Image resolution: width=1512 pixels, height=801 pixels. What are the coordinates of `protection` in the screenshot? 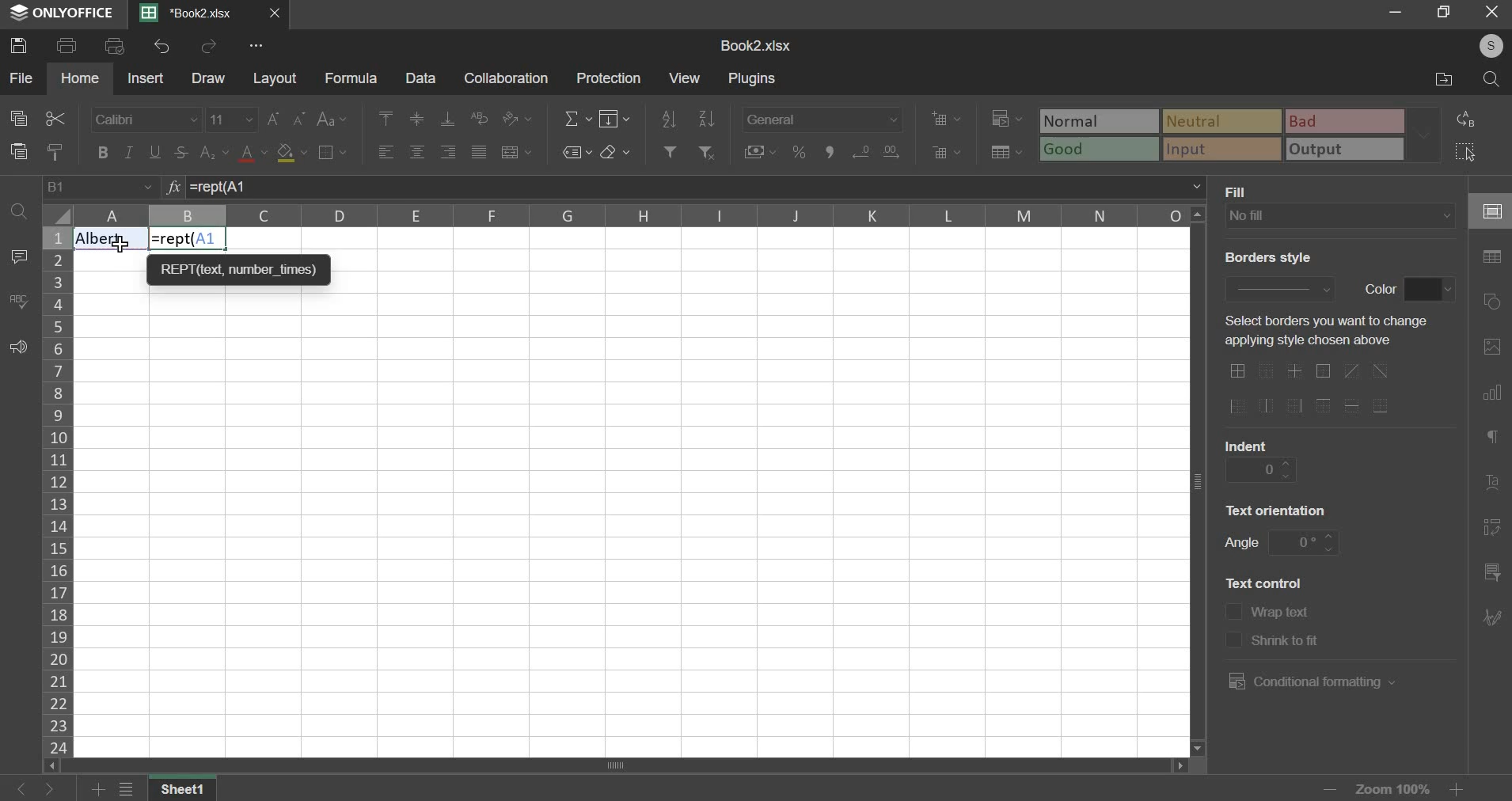 It's located at (609, 77).